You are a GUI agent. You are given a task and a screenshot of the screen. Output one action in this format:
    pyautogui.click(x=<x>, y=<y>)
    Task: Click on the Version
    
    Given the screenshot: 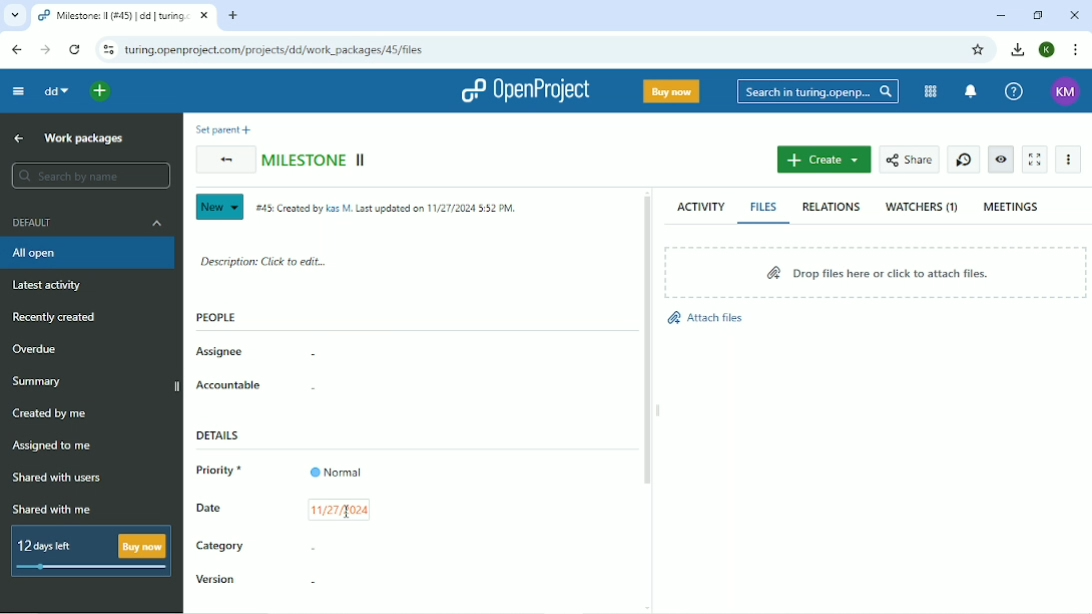 What is the action you would take?
    pyautogui.click(x=217, y=581)
    